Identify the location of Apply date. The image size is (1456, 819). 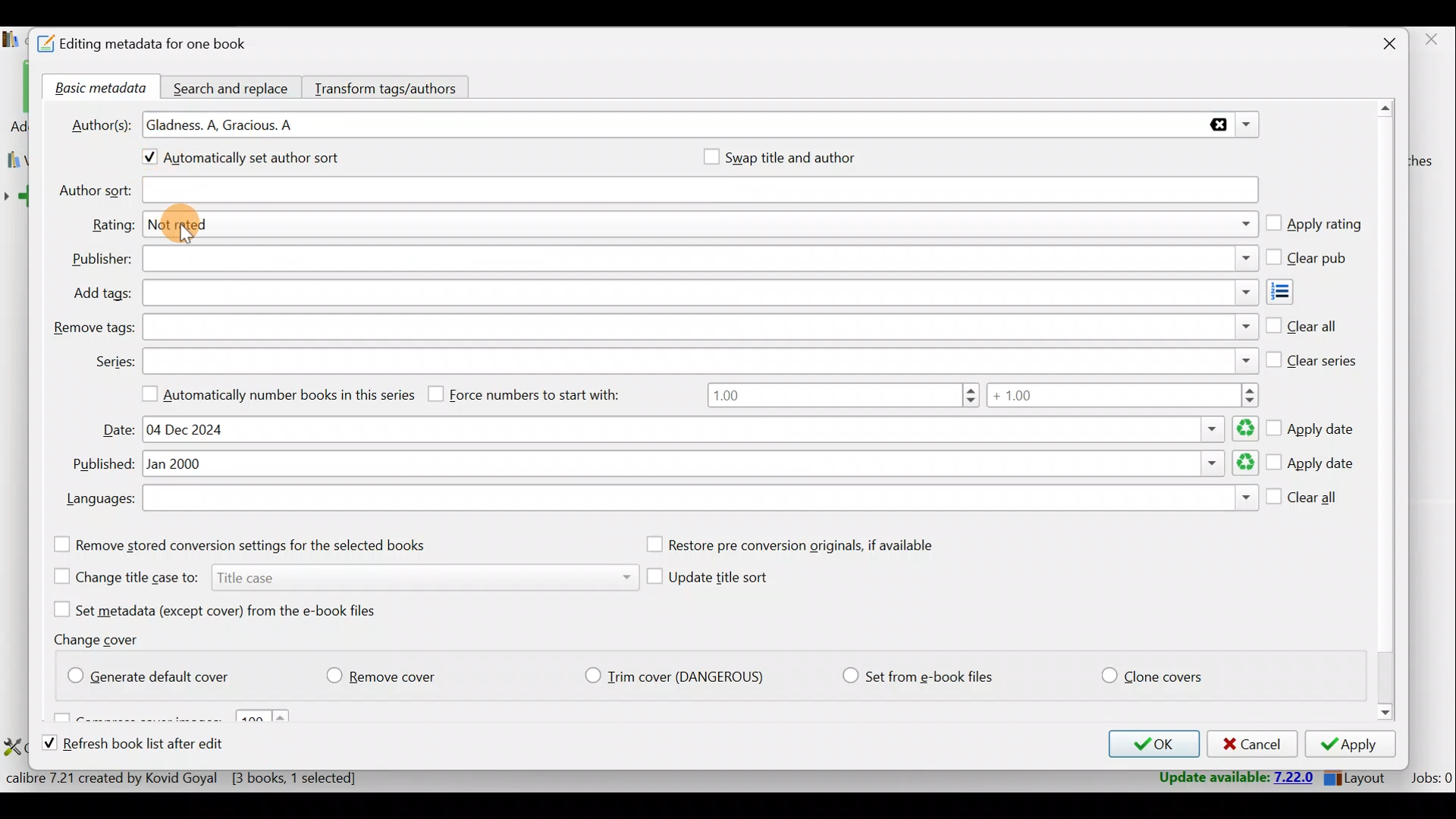
(1313, 424).